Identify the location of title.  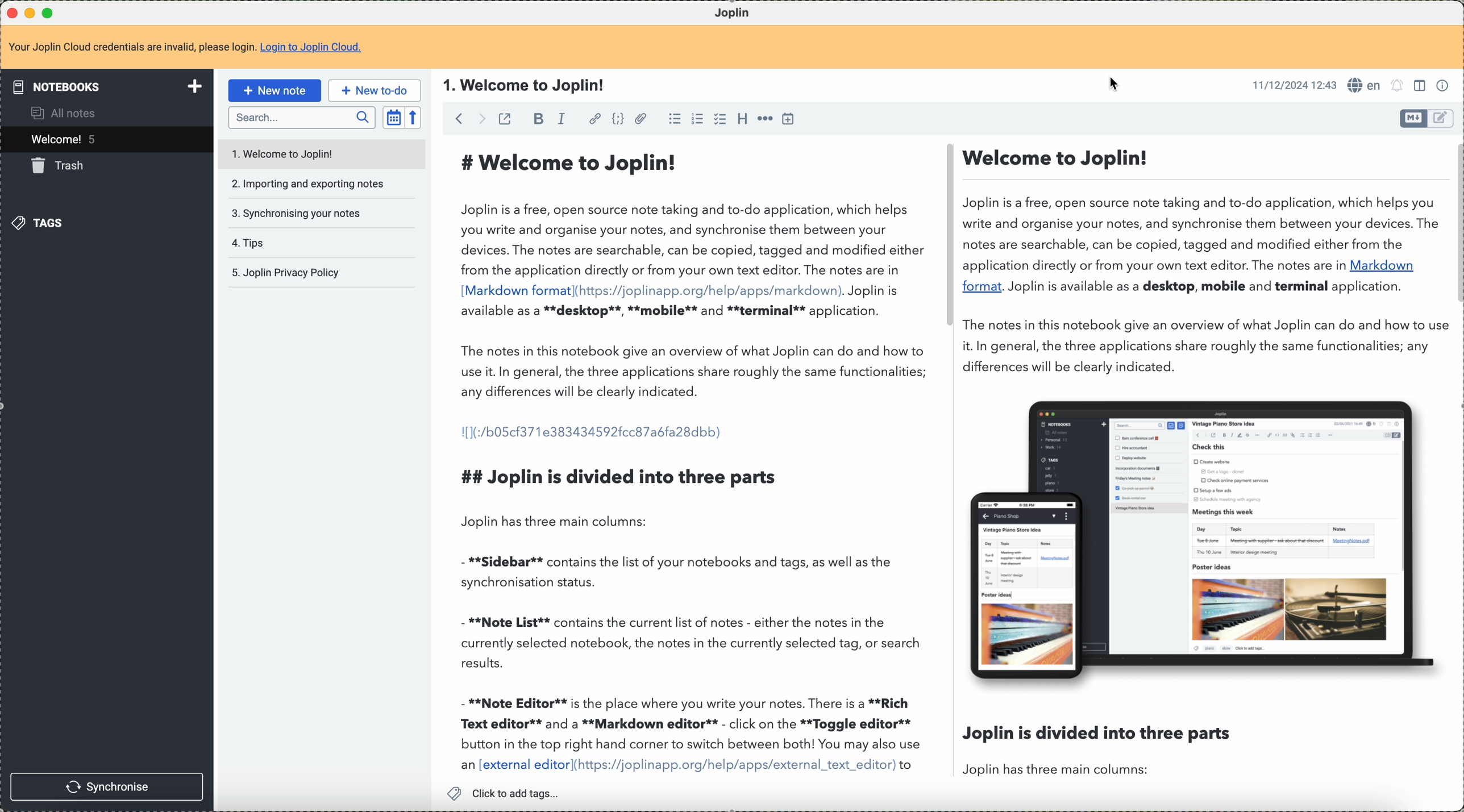
(524, 85).